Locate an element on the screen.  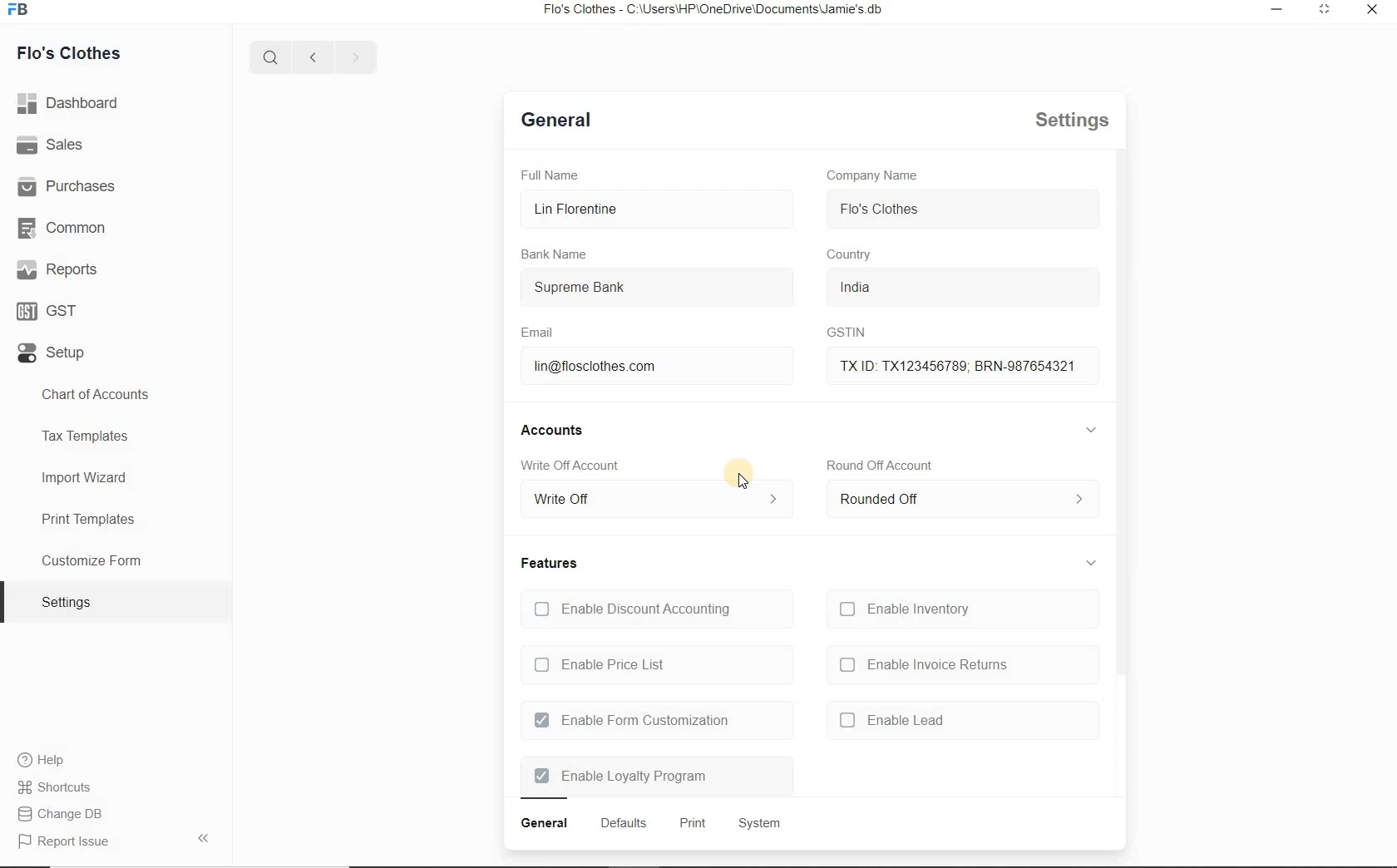
GSTIN is located at coordinates (847, 333).